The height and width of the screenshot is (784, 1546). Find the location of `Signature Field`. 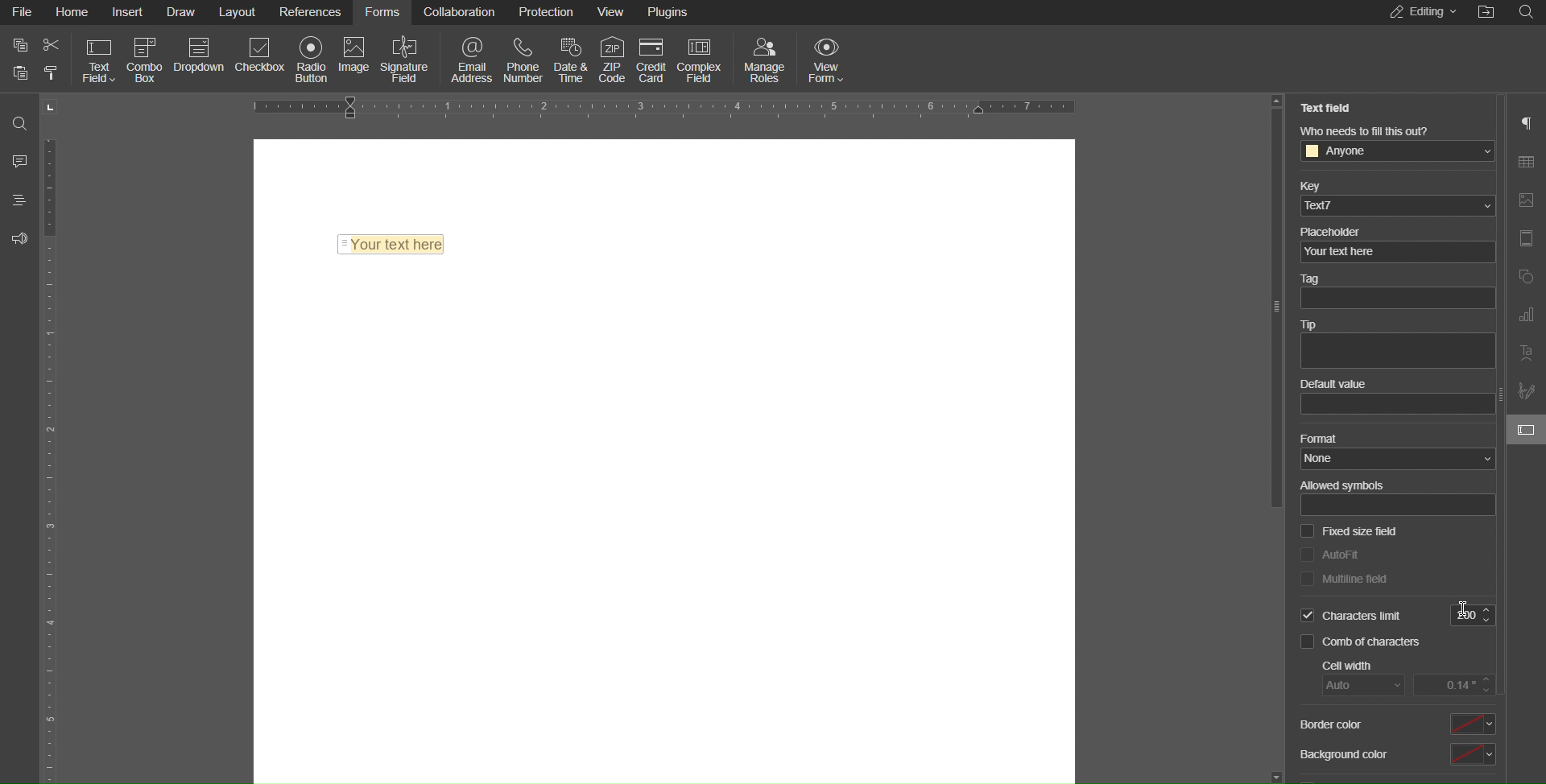

Signature Field is located at coordinates (410, 58).